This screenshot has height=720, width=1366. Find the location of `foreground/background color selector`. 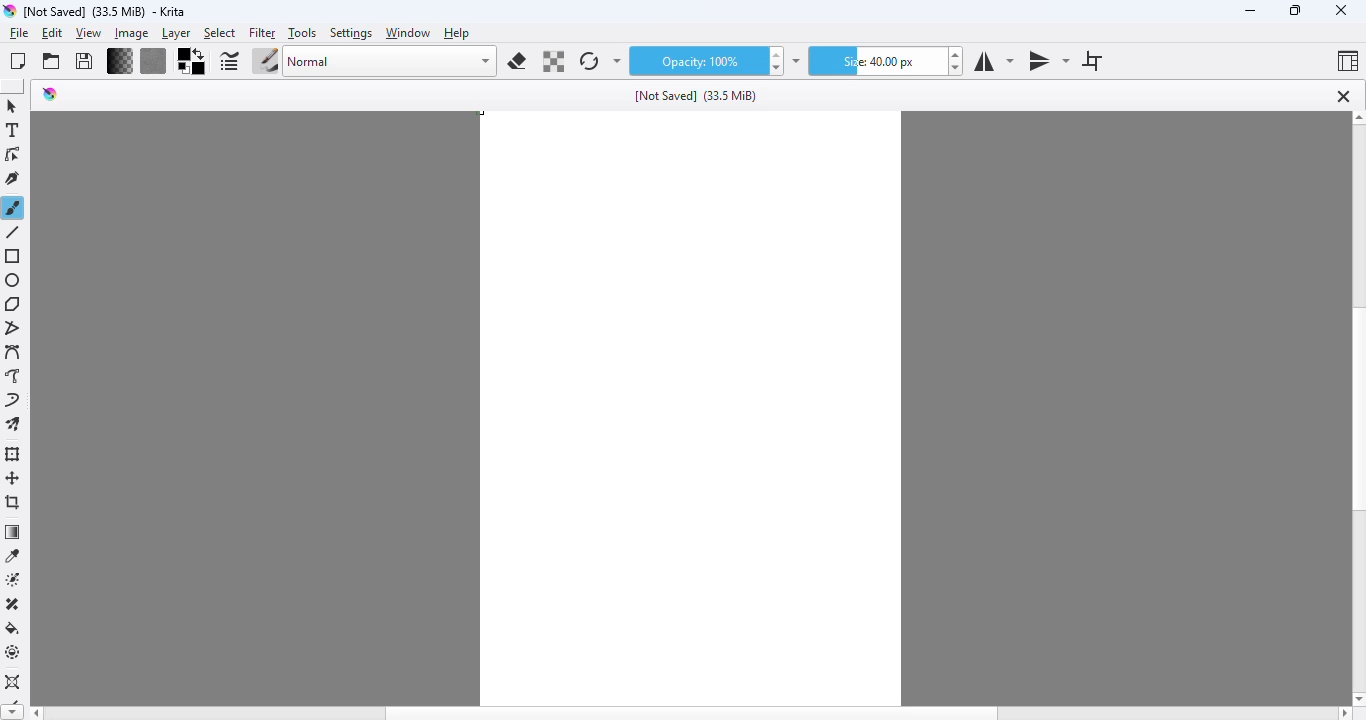

foreground/background color selector is located at coordinates (191, 61).